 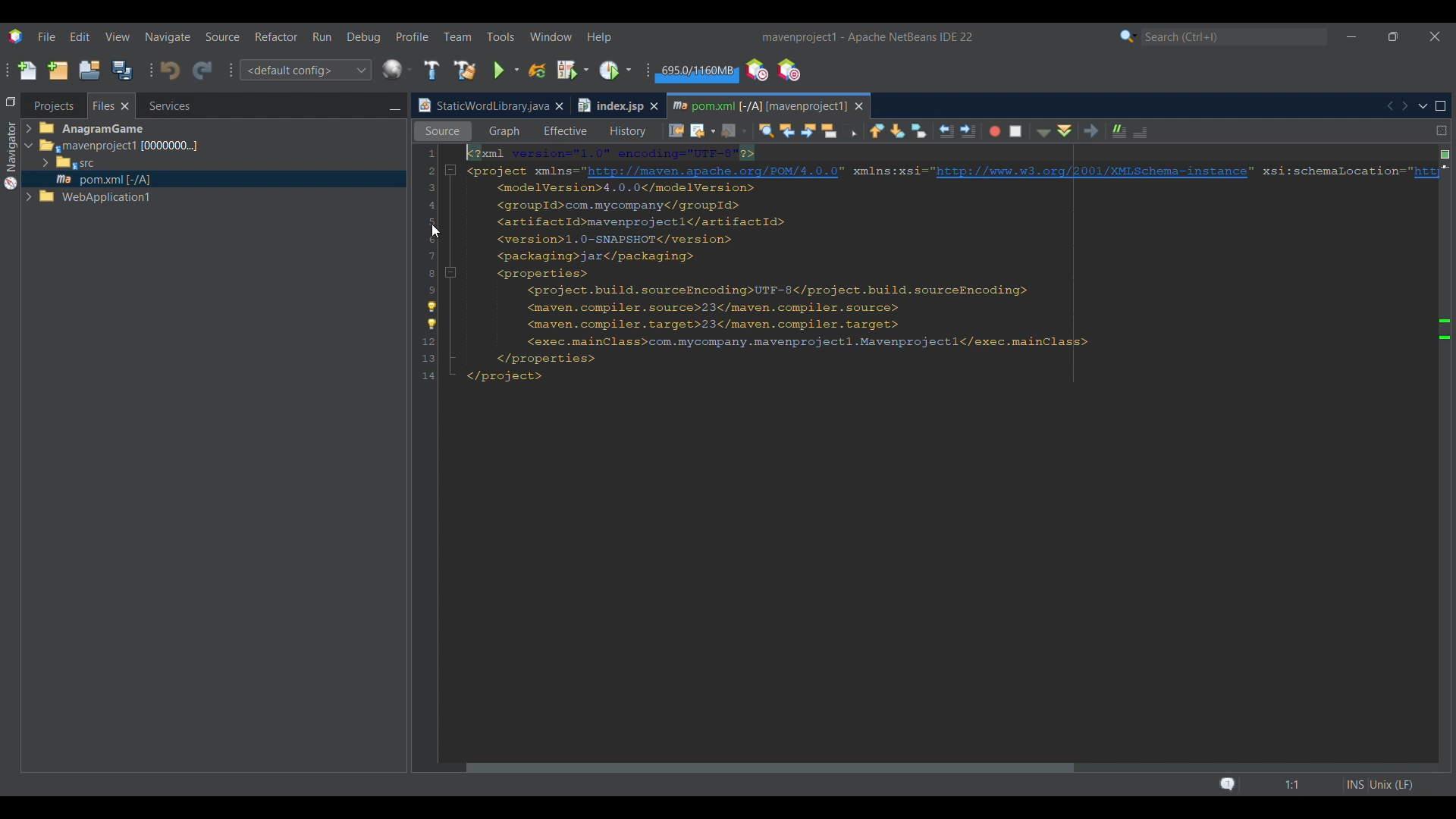 What do you see at coordinates (1389, 106) in the screenshot?
I see `Previous` at bounding box center [1389, 106].